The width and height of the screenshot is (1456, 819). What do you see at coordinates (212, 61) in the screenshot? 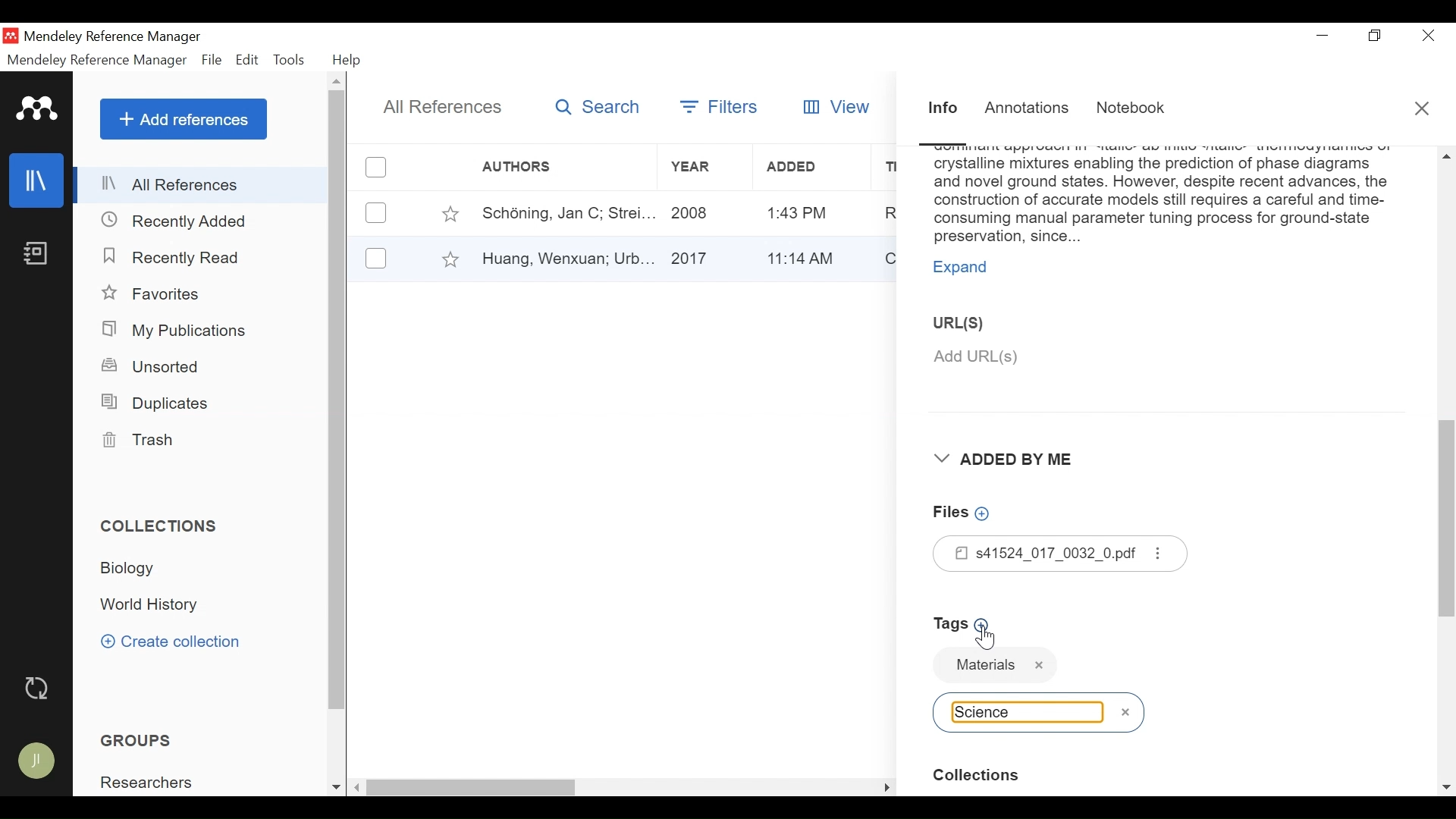
I see `File` at bounding box center [212, 61].